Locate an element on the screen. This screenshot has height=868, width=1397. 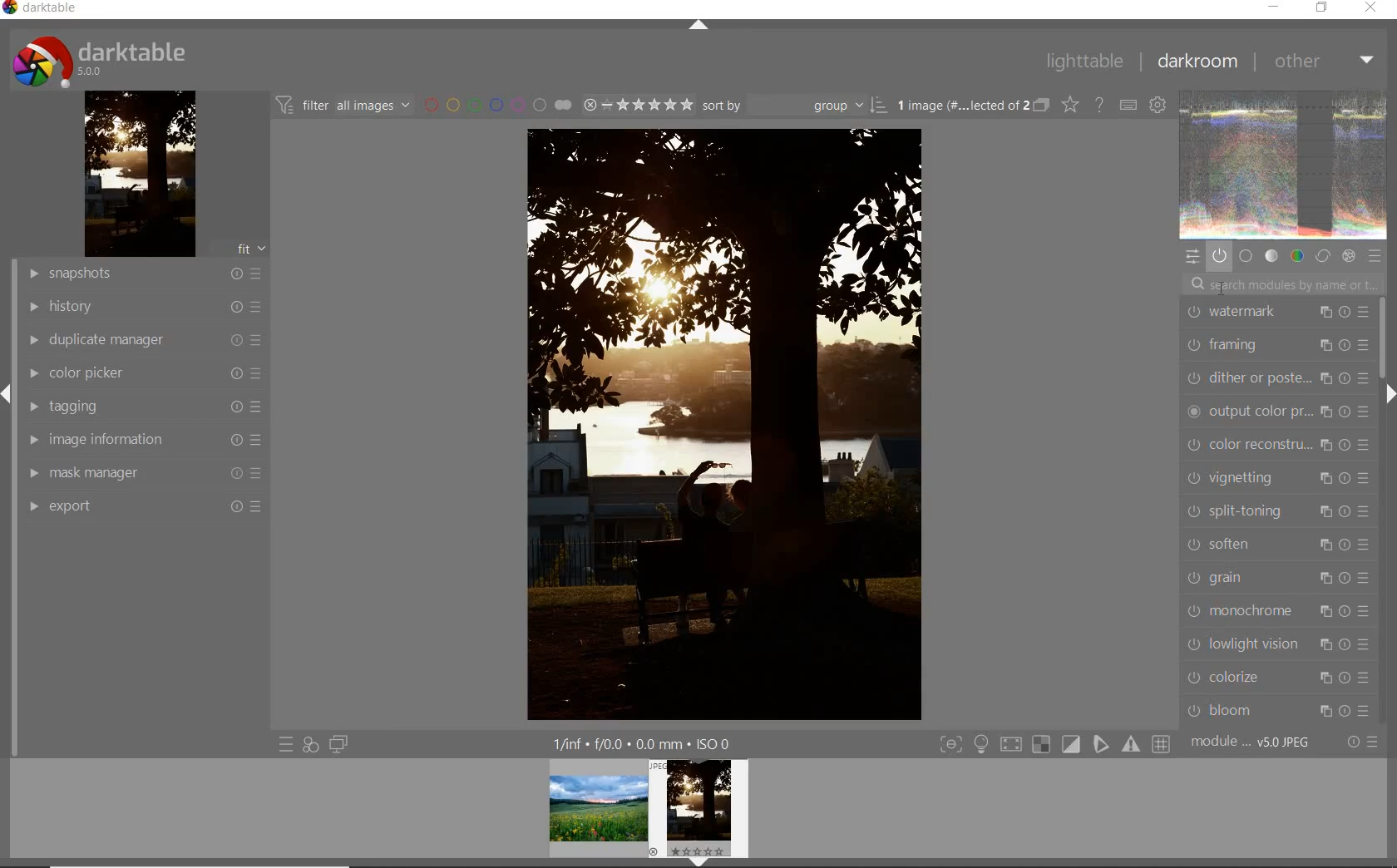
filter all images is located at coordinates (345, 106).